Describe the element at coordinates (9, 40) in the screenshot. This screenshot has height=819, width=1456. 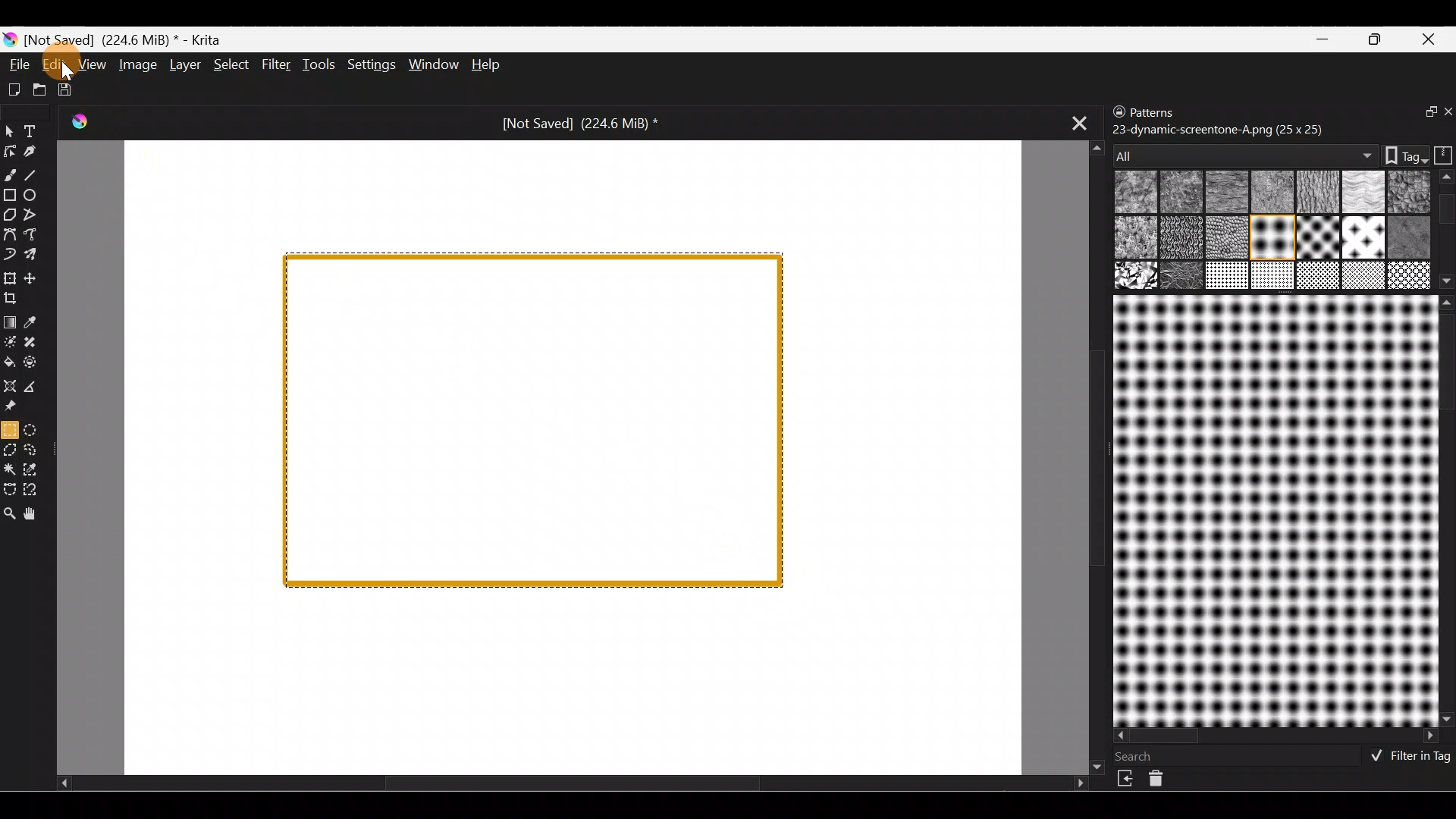
I see `Krita logo` at that location.